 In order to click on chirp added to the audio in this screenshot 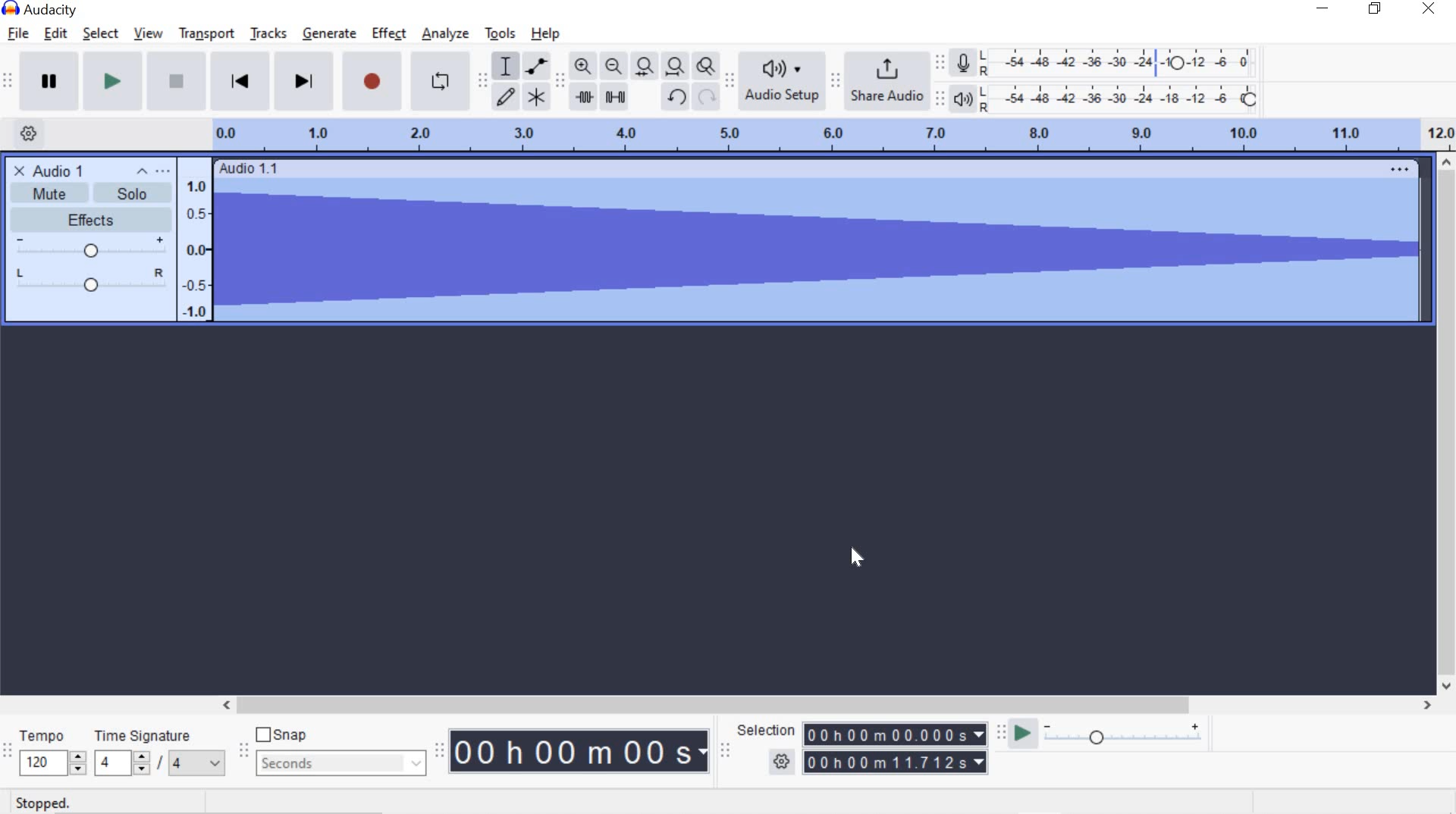, I will do `click(817, 243)`.